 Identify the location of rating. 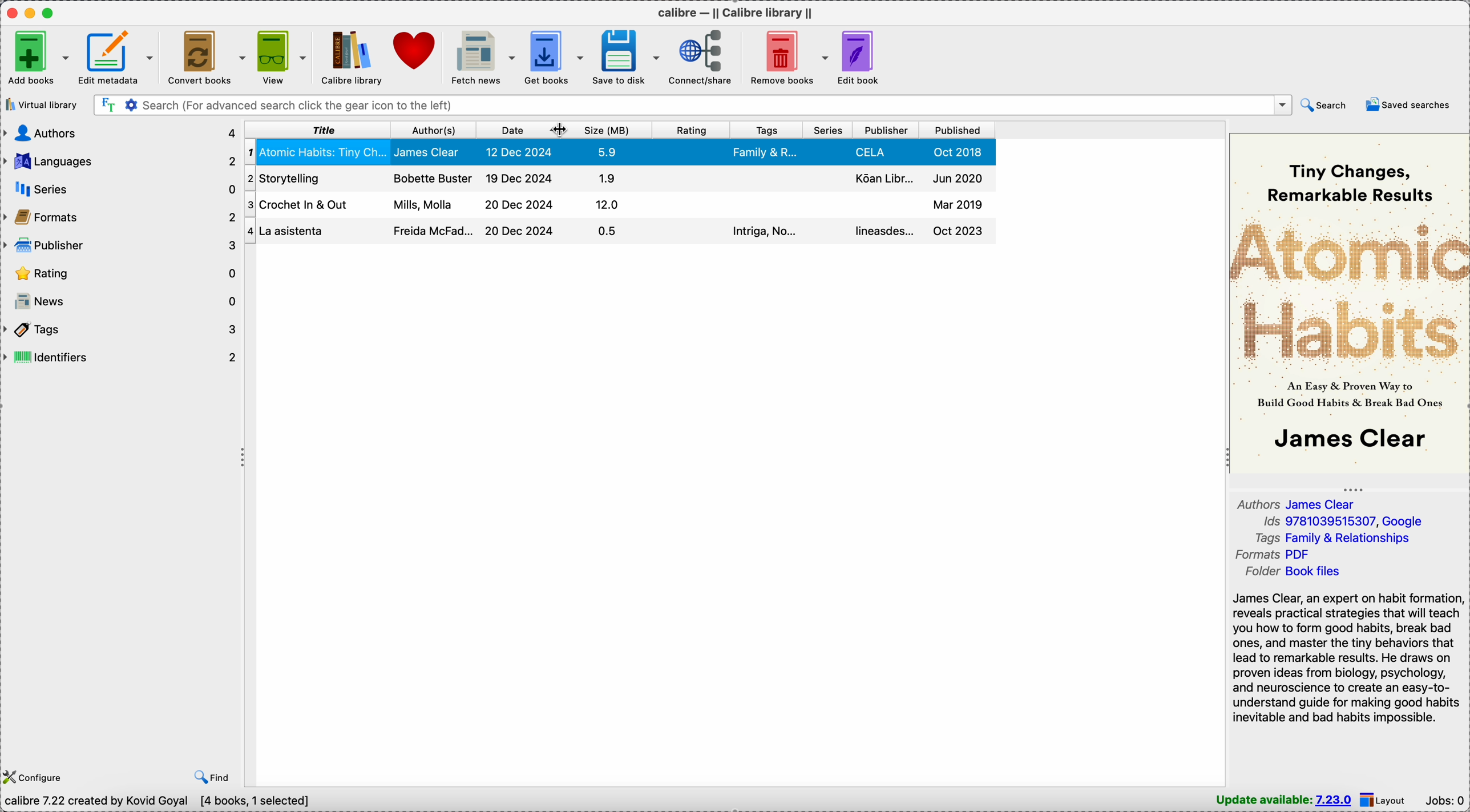
(693, 132).